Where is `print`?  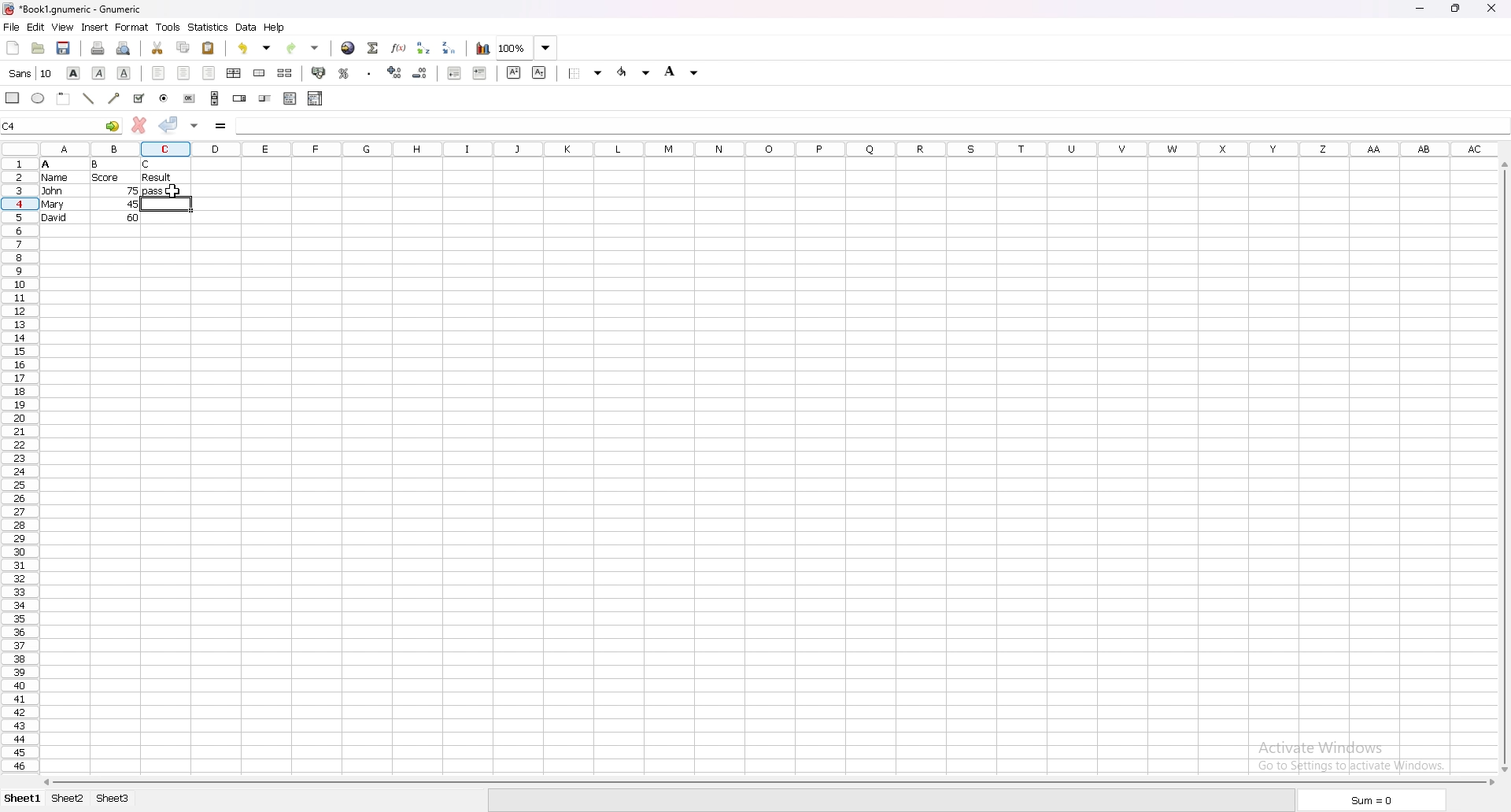
print is located at coordinates (98, 49).